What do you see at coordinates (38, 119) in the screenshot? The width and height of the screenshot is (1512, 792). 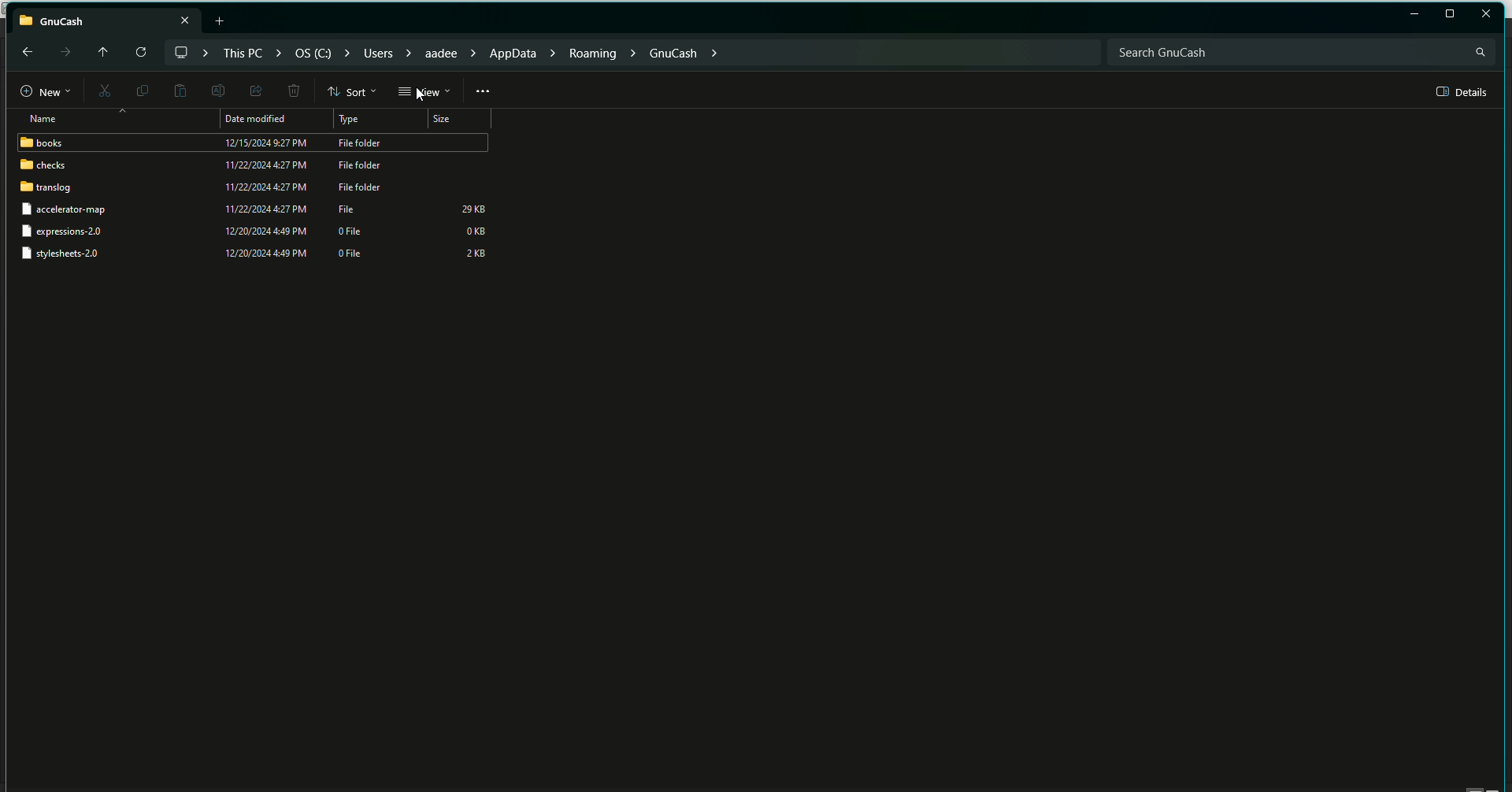 I see `Name` at bounding box center [38, 119].